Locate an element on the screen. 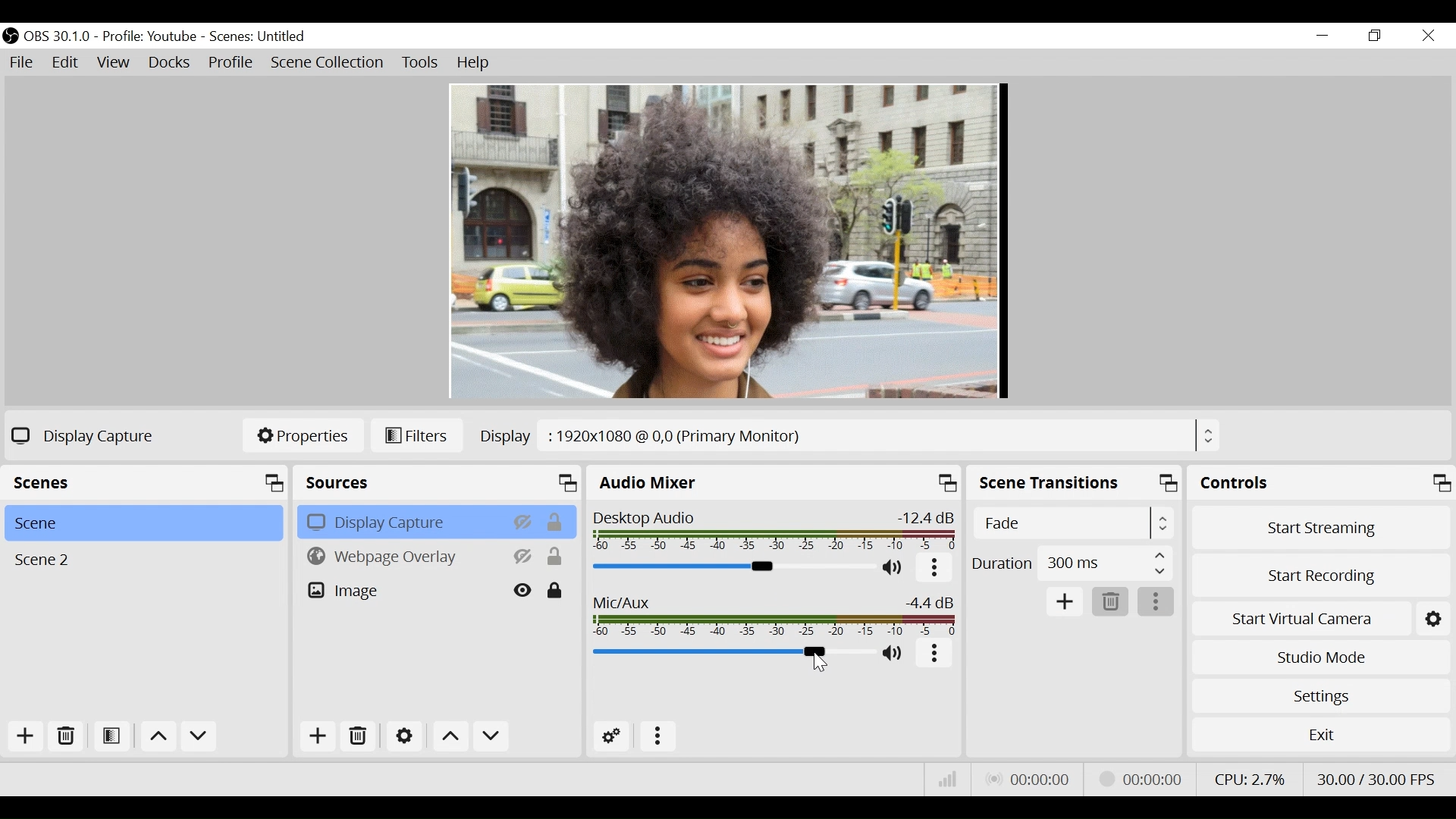 Image resolution: width=1456 pixels, height=819 pixels. Bitrate is located at coordinates (949, 778).